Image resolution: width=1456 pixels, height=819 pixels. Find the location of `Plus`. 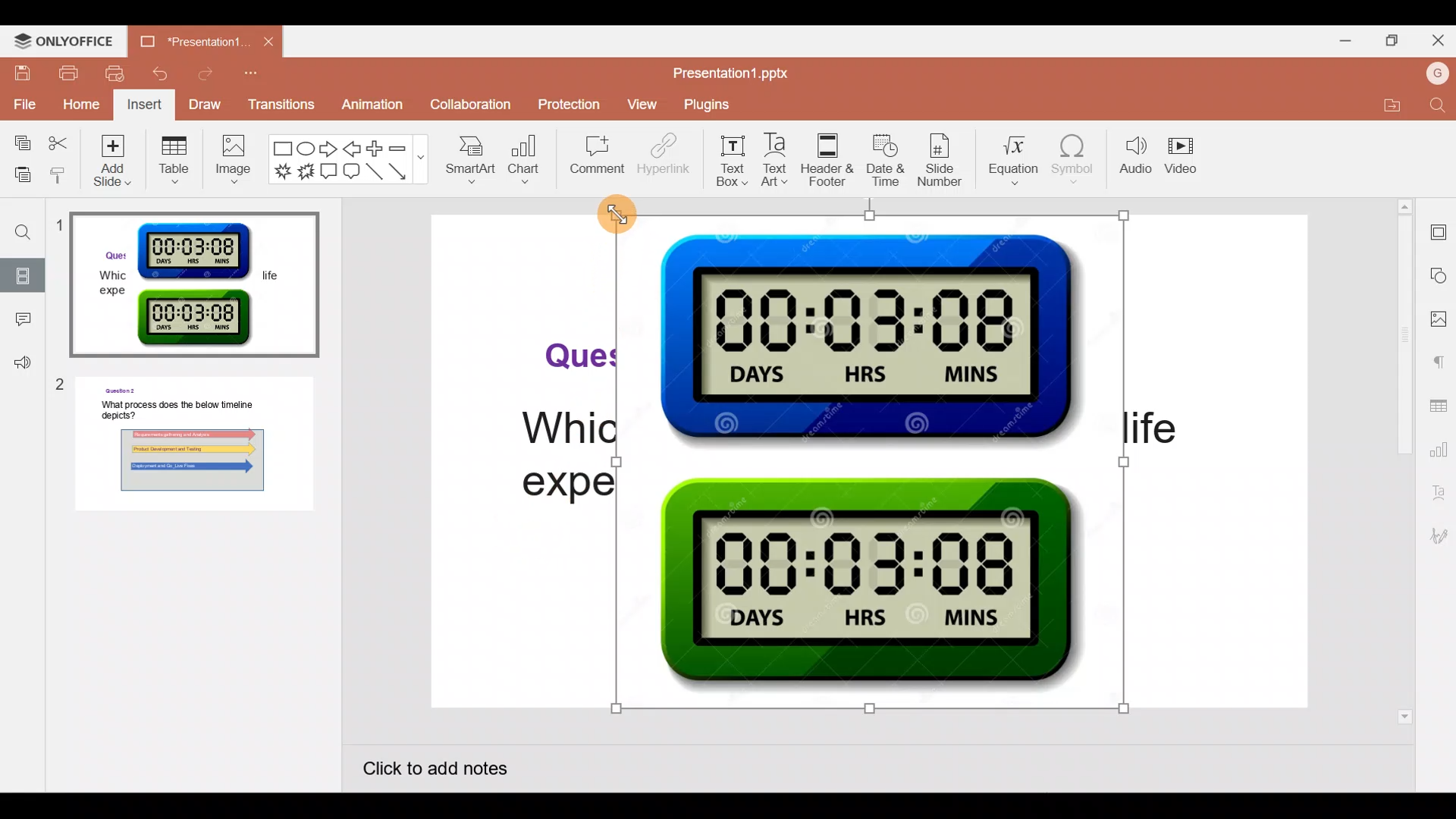

Plus is located at coordinates (378, 149).